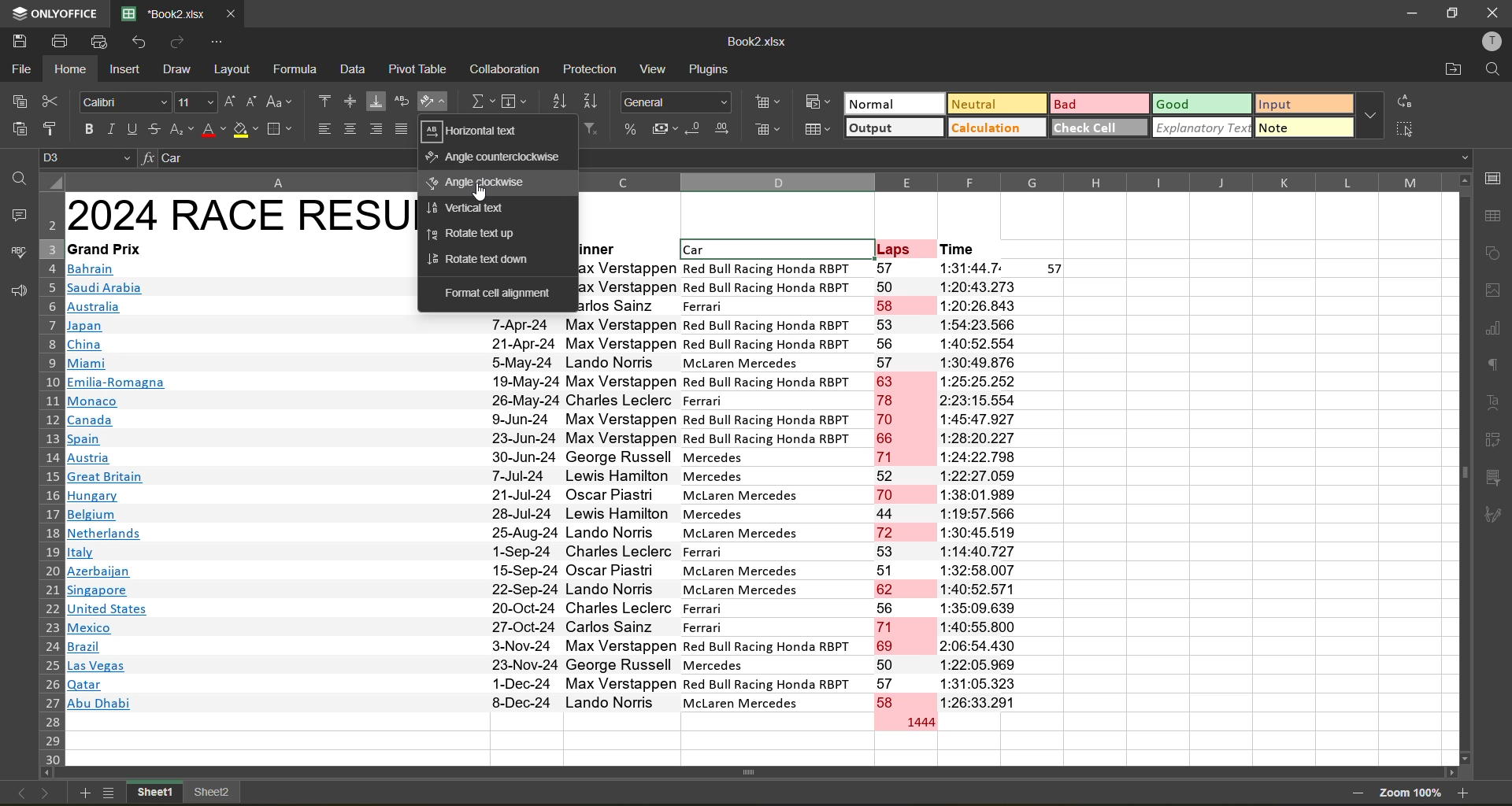 The width and height of the screenshot is (1512, 806). What do you see at coordinates (16, 178) in the screenshot?
I see `find` at bounding box center [16, 178].